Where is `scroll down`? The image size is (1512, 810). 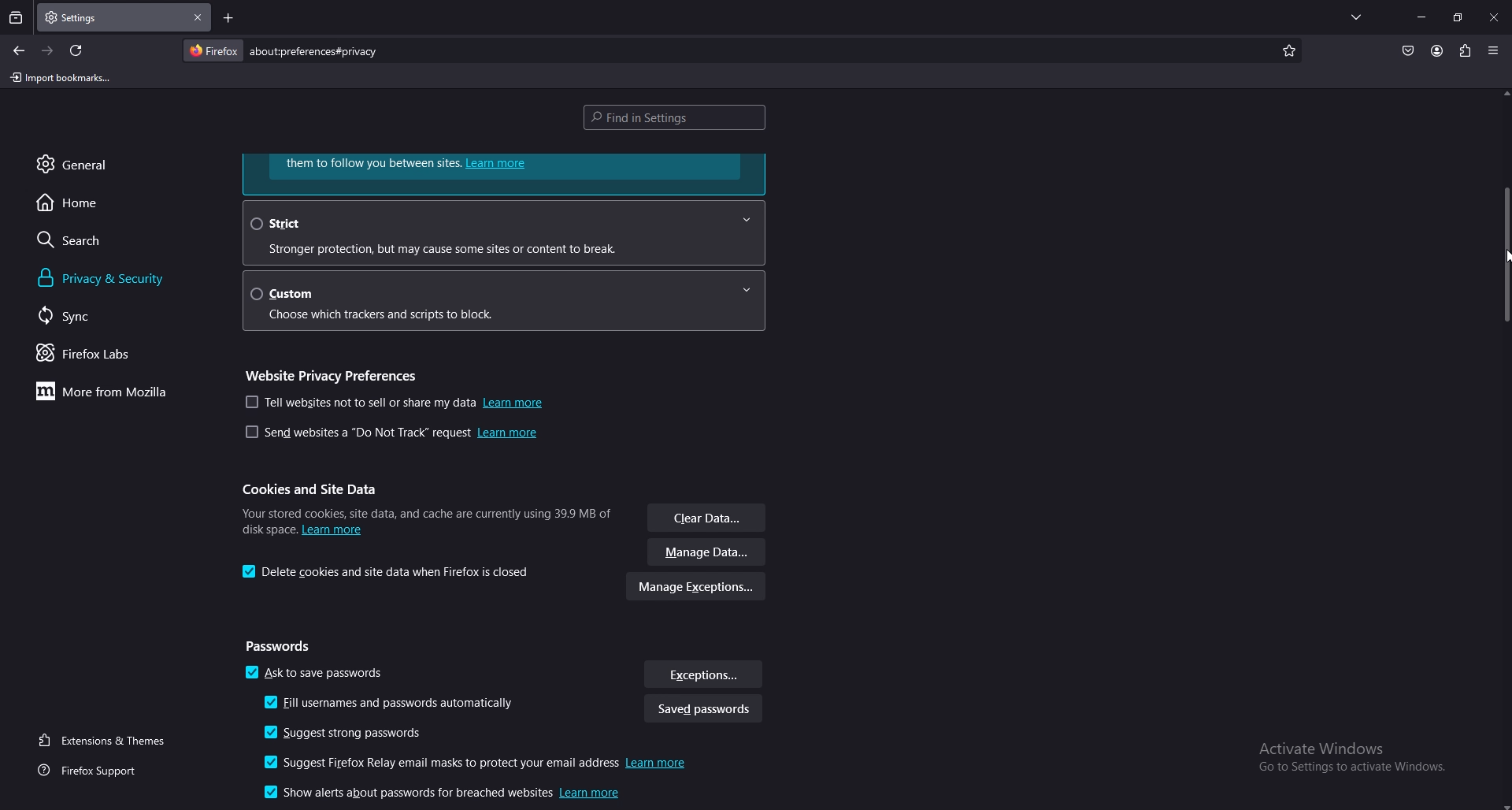
scroll down is located at coordinates (1503, 804).